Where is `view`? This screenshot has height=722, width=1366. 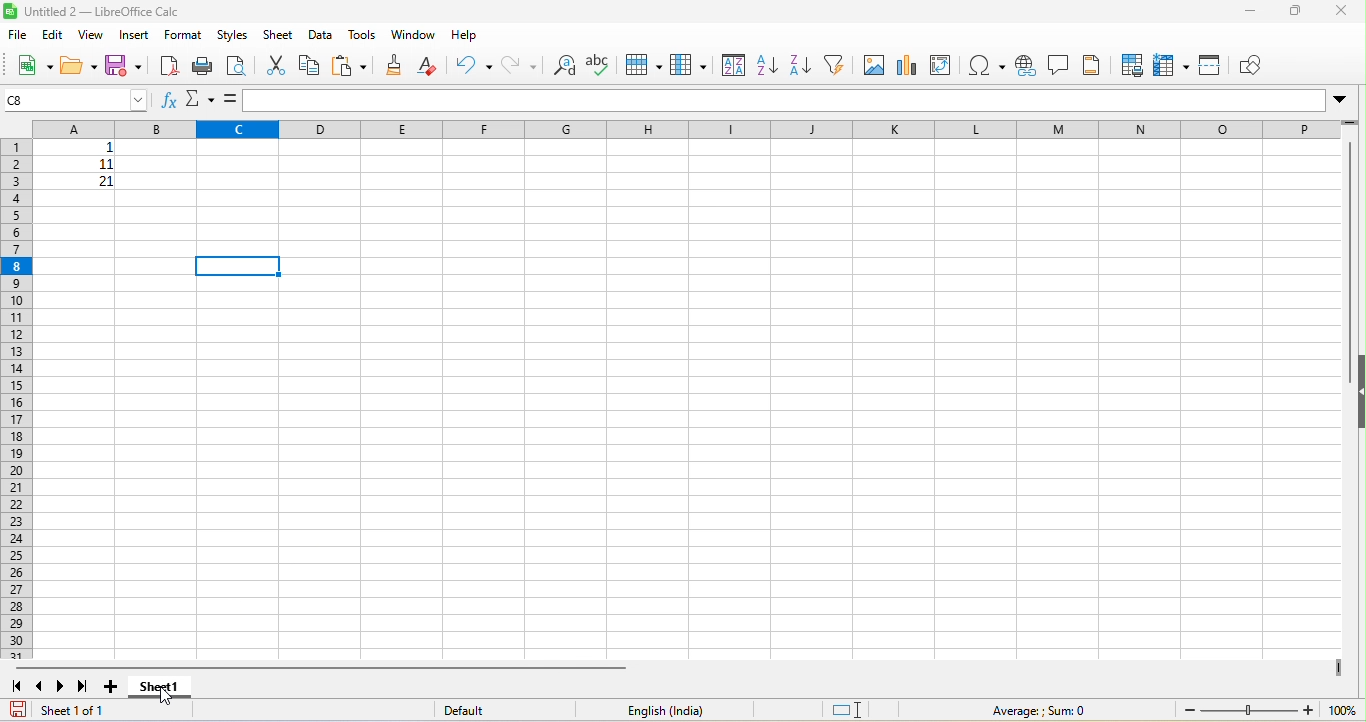
view is located at coordinates (92, 34).